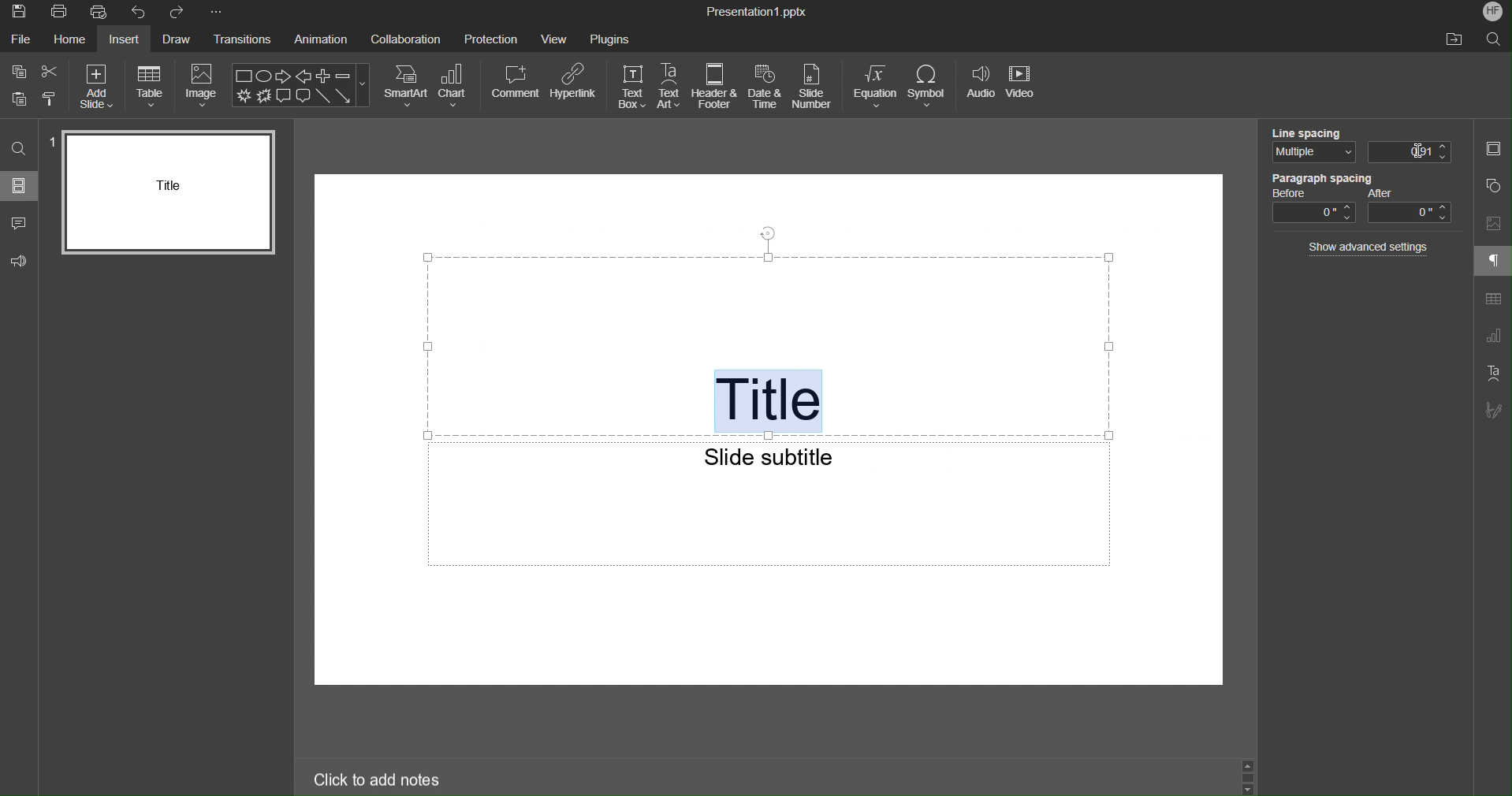 Image resolution: width=1512 pixels, height=796 pixels. Describe the element at coordinates (515, 84) in the screenshot. I see `Comment` at that location.